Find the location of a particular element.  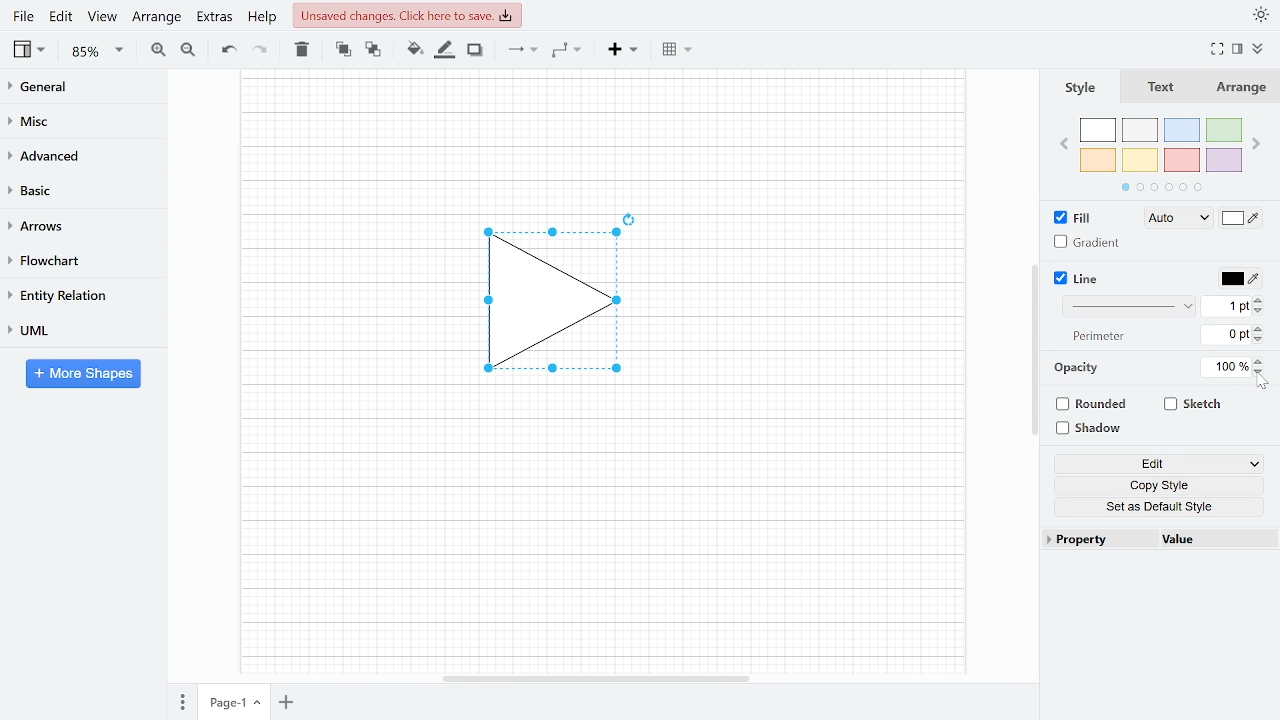

Copy style is located at coordinates (1163, 486).